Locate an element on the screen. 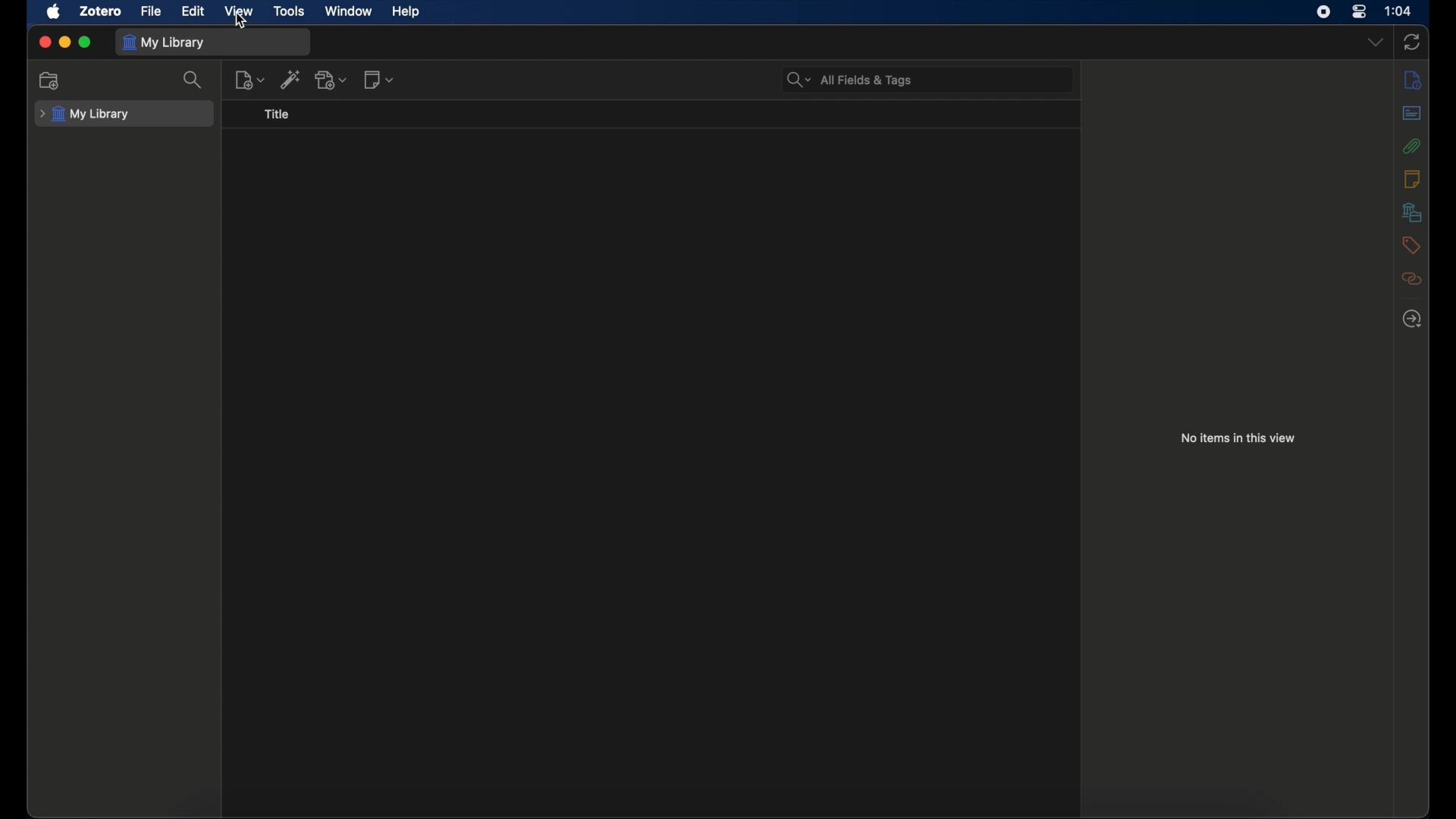 This screenshot has width=1456, height=819. new item is located at coordinates (250, 80).